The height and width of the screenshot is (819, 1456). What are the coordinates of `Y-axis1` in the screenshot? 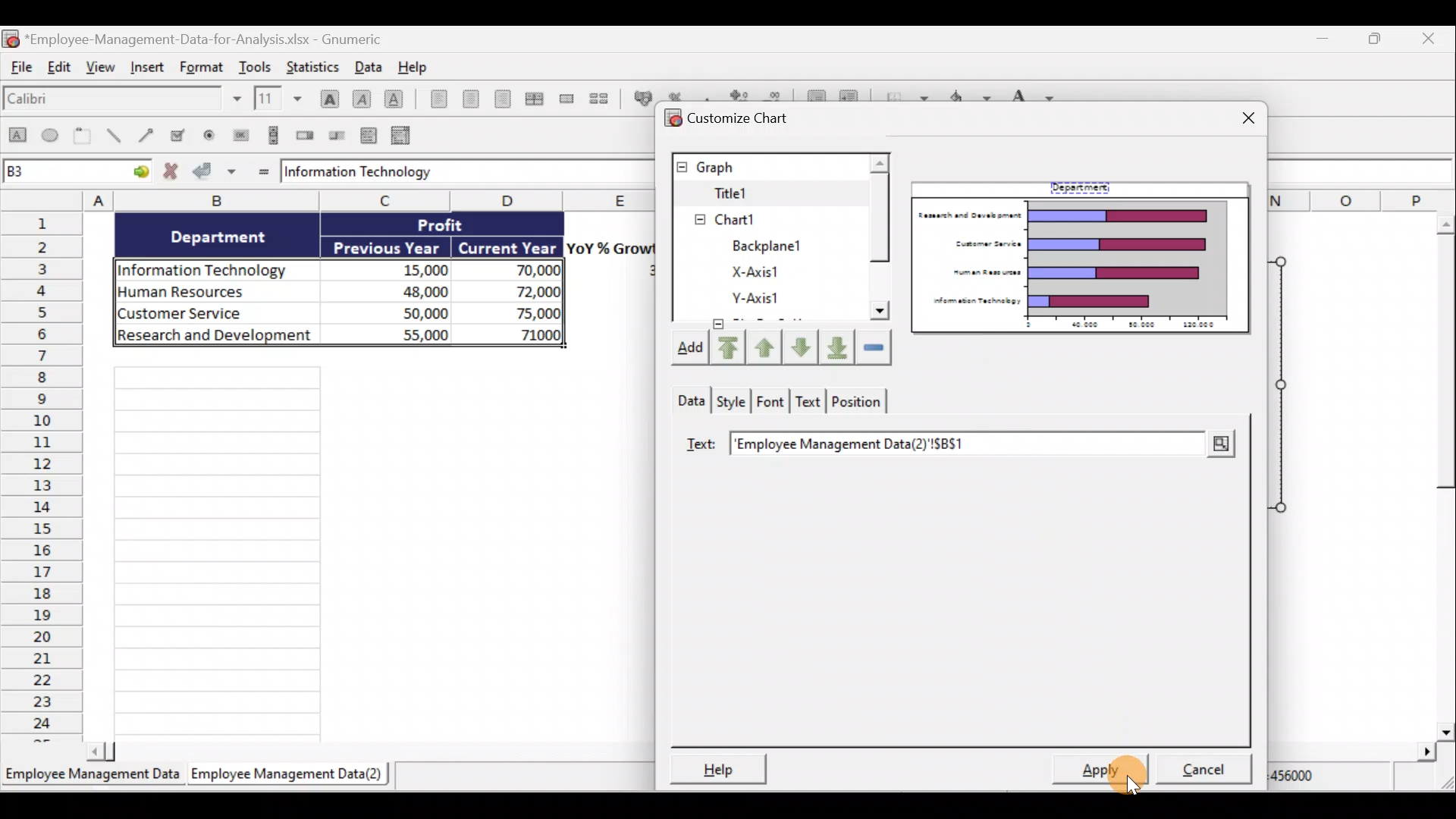 It's located at (752, 271).